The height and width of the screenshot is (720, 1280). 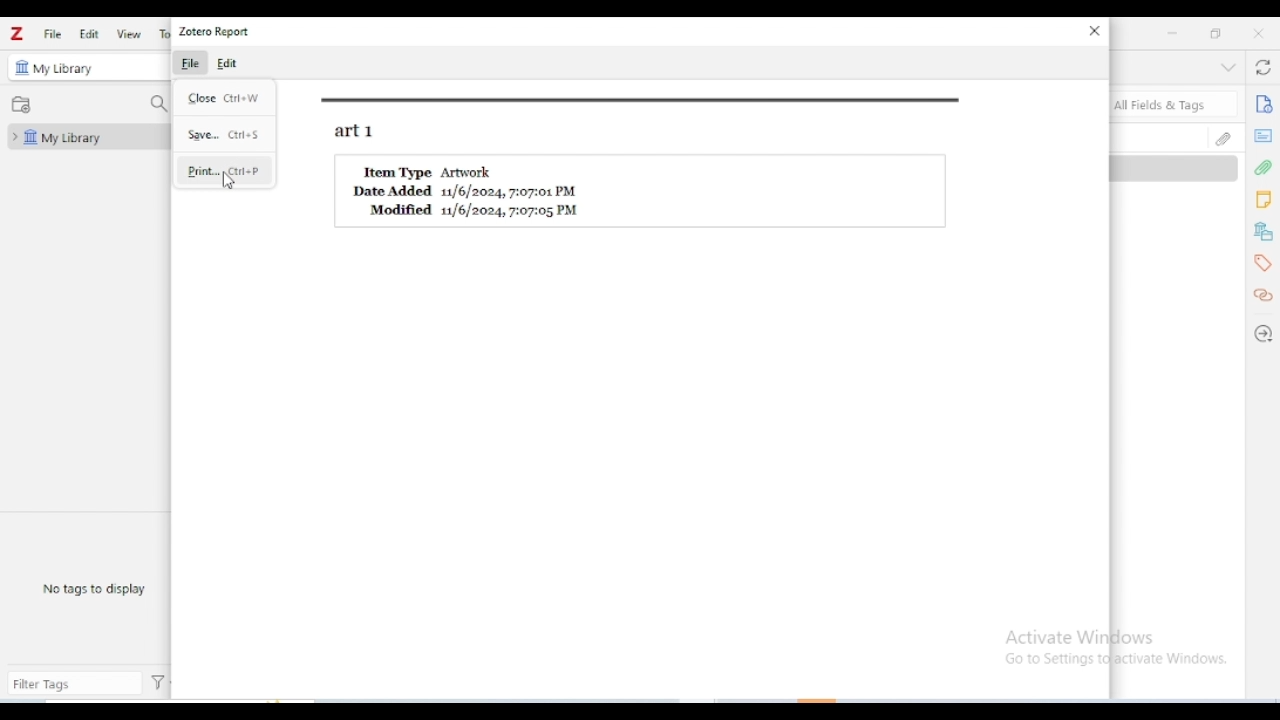 I want to click on Modified 11/6/2024, 7:07:05 PM, so click(x=475, y=210).